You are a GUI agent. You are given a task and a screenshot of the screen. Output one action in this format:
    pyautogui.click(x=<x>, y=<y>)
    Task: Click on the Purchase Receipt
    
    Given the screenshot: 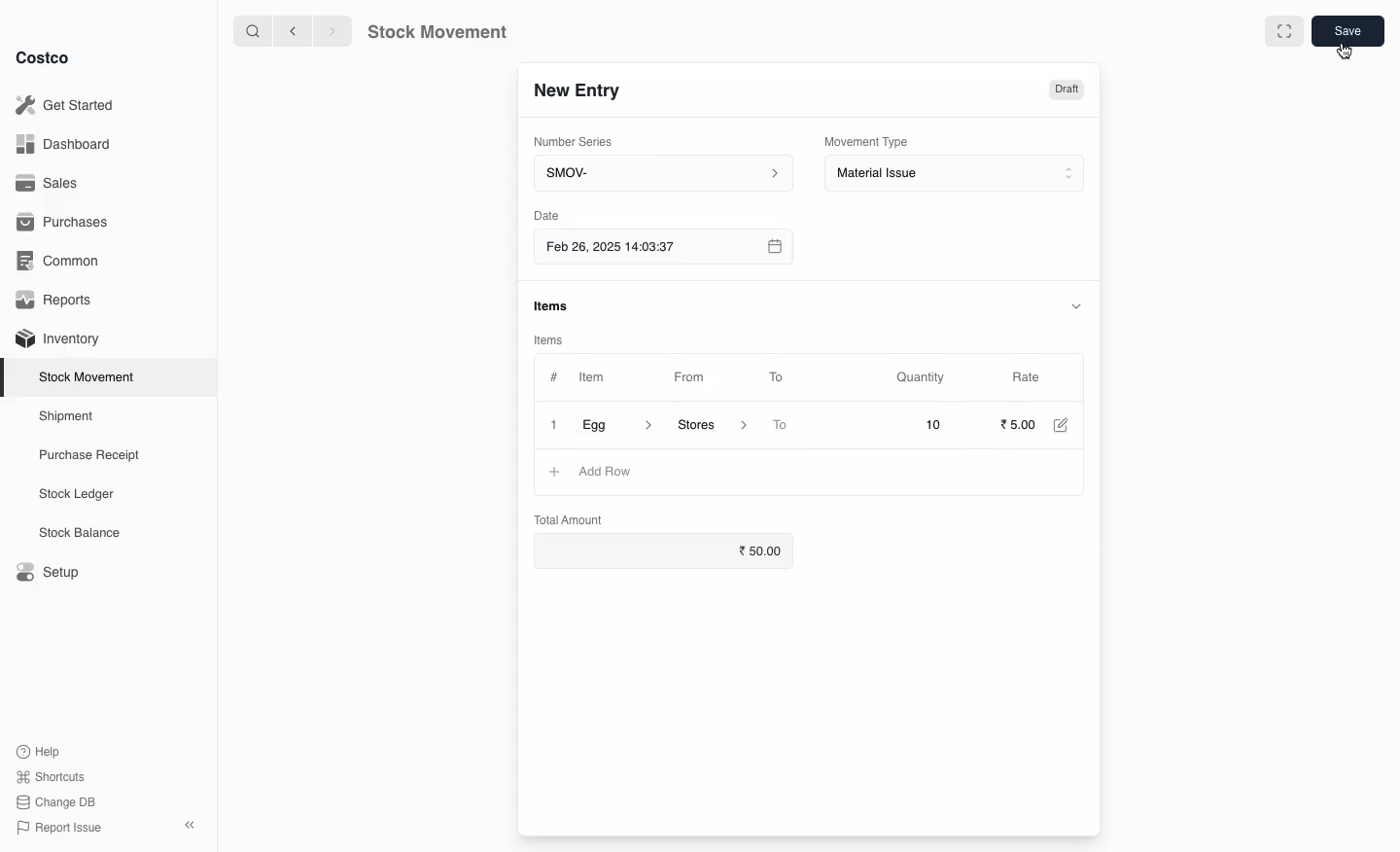 What is the action you would take?
    pyautogui.click(x=94, y=454)
    